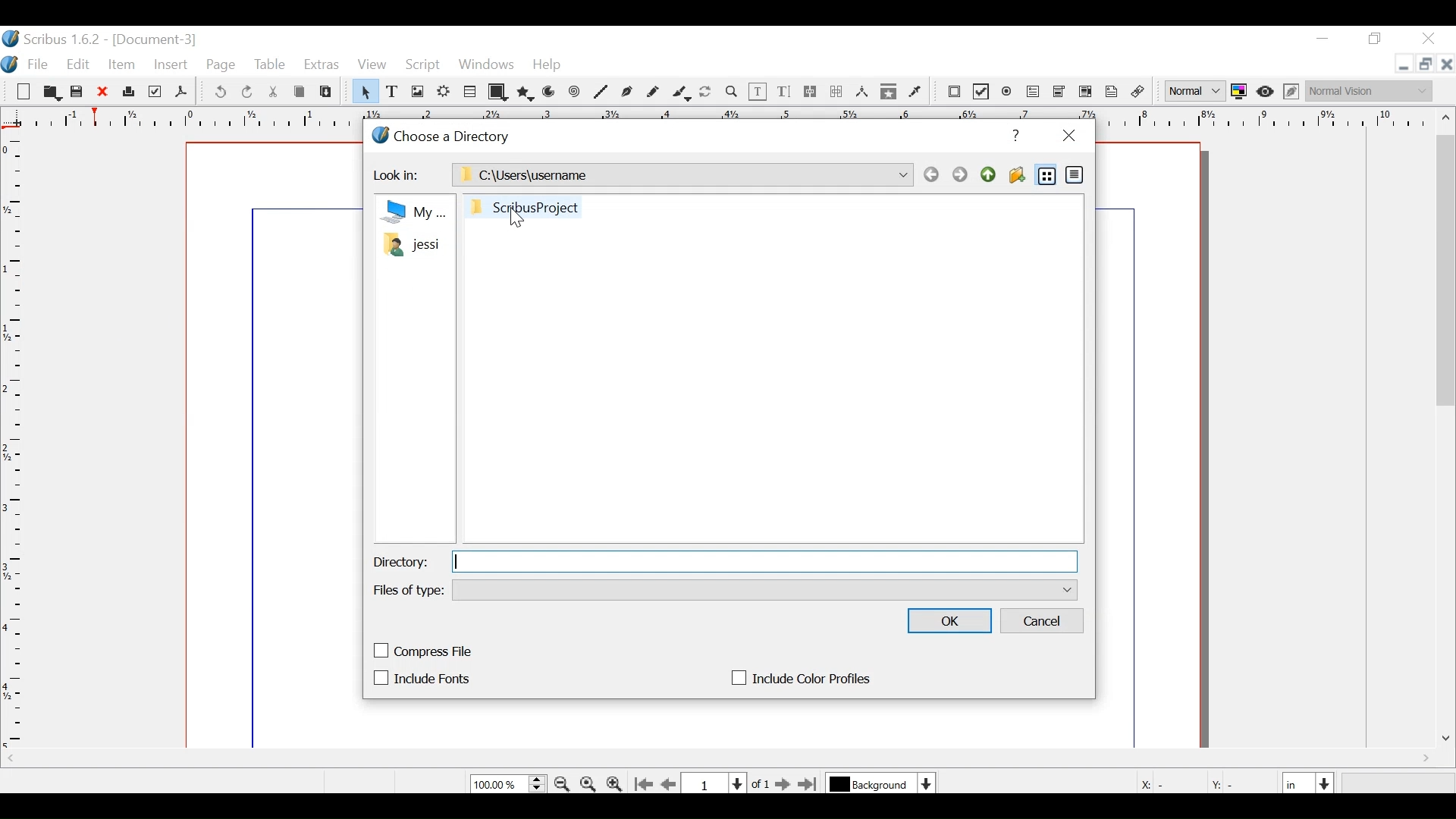 This screenshot has width=1456, height=819. Describe the element at coordinates (1325, 781) in the screenshot. I see `` at that location.